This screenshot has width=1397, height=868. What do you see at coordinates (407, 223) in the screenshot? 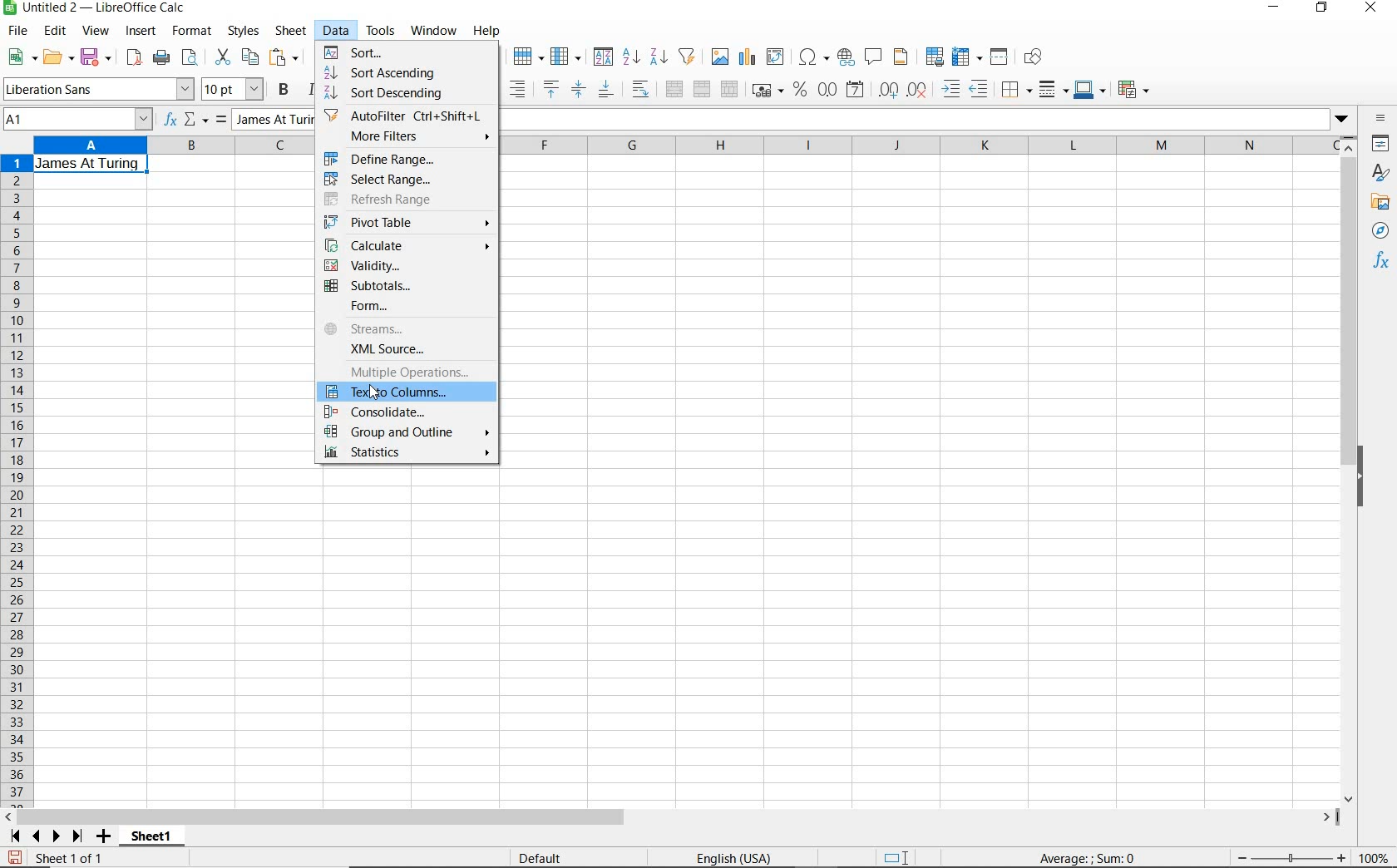
I see `pivot table` at bounding box center [407, 223].